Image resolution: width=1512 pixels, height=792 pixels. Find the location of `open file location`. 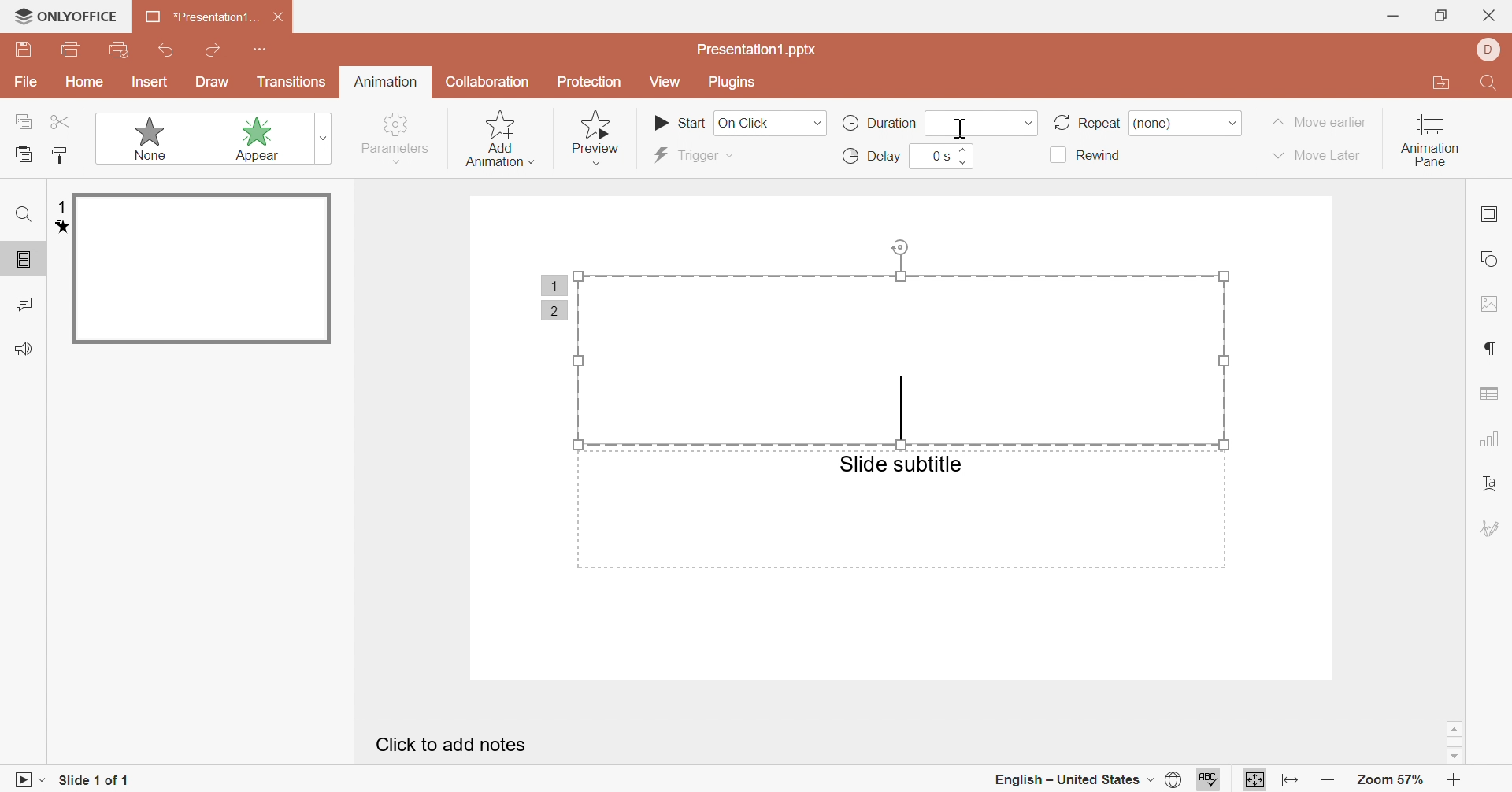

open file location is located at coordinates (1447, 83).